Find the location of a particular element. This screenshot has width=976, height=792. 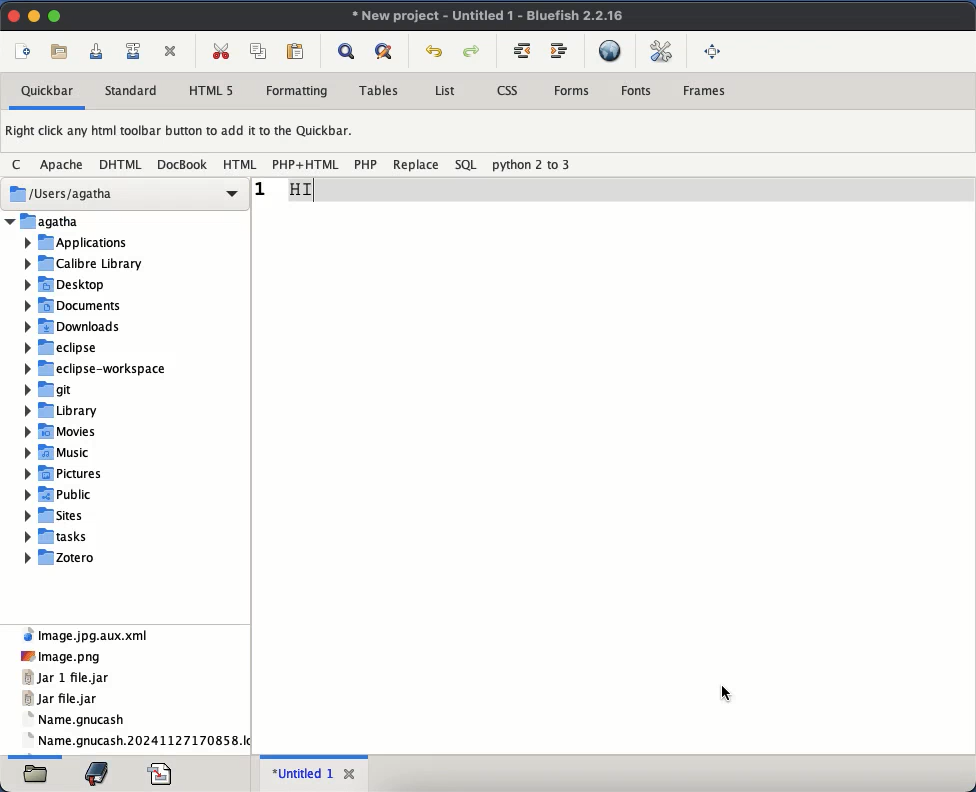

Library is located at coordinates (62, 410).